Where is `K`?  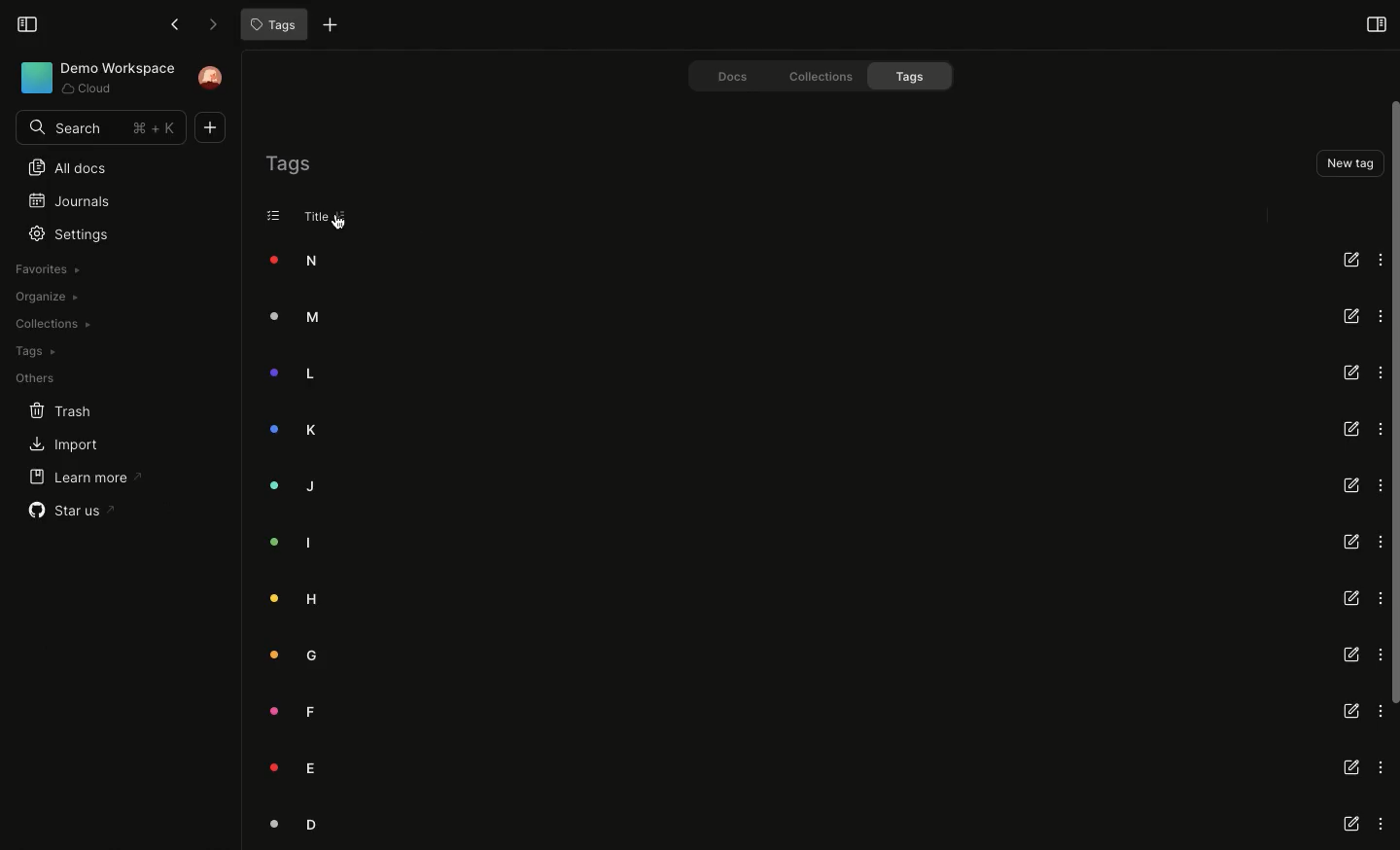
K is located at coordinates (292, 428).